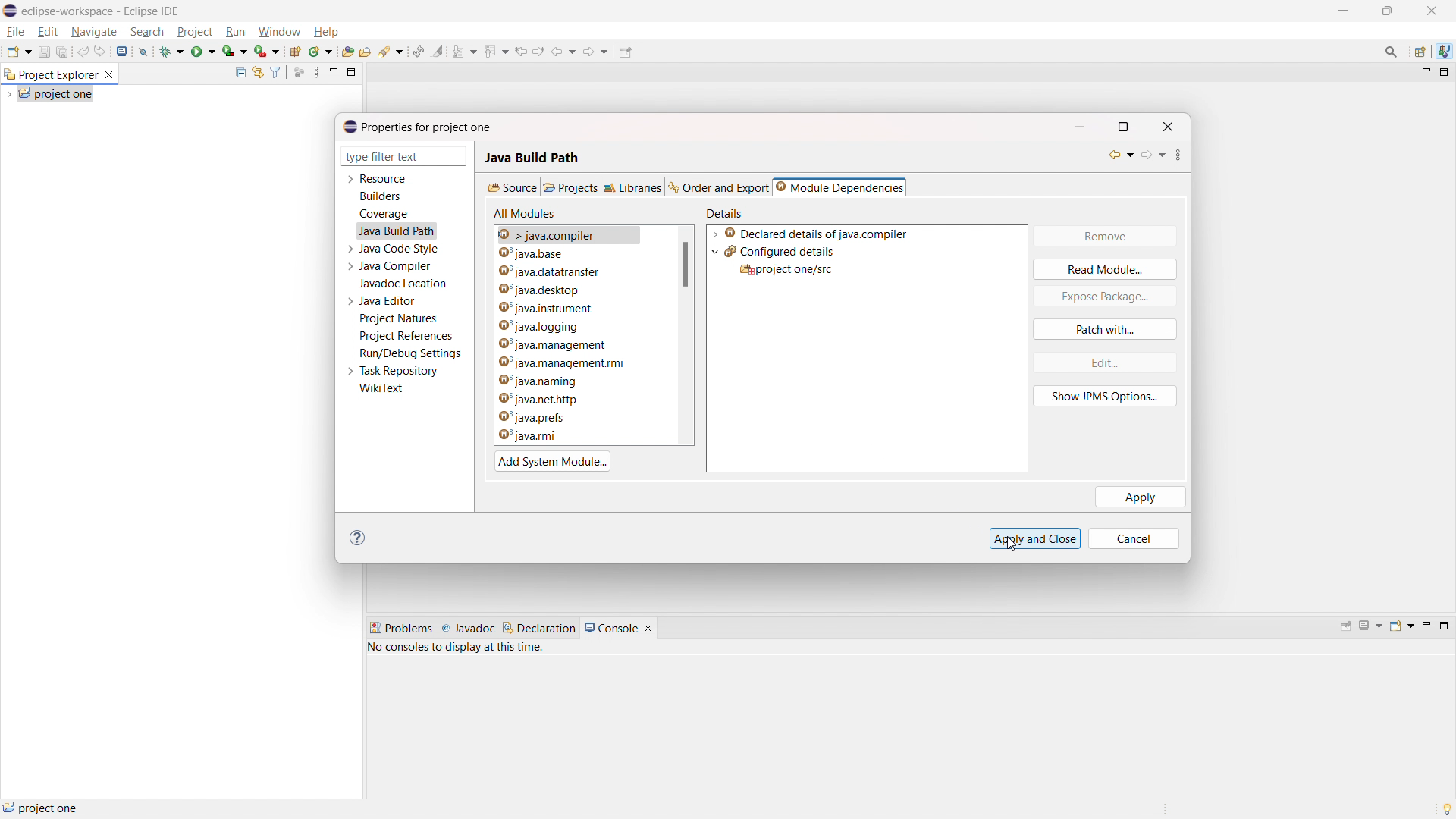 Image resolution: width=1456 pixels, height=819 pixels. I want to click on maximize, so click(352, 71).